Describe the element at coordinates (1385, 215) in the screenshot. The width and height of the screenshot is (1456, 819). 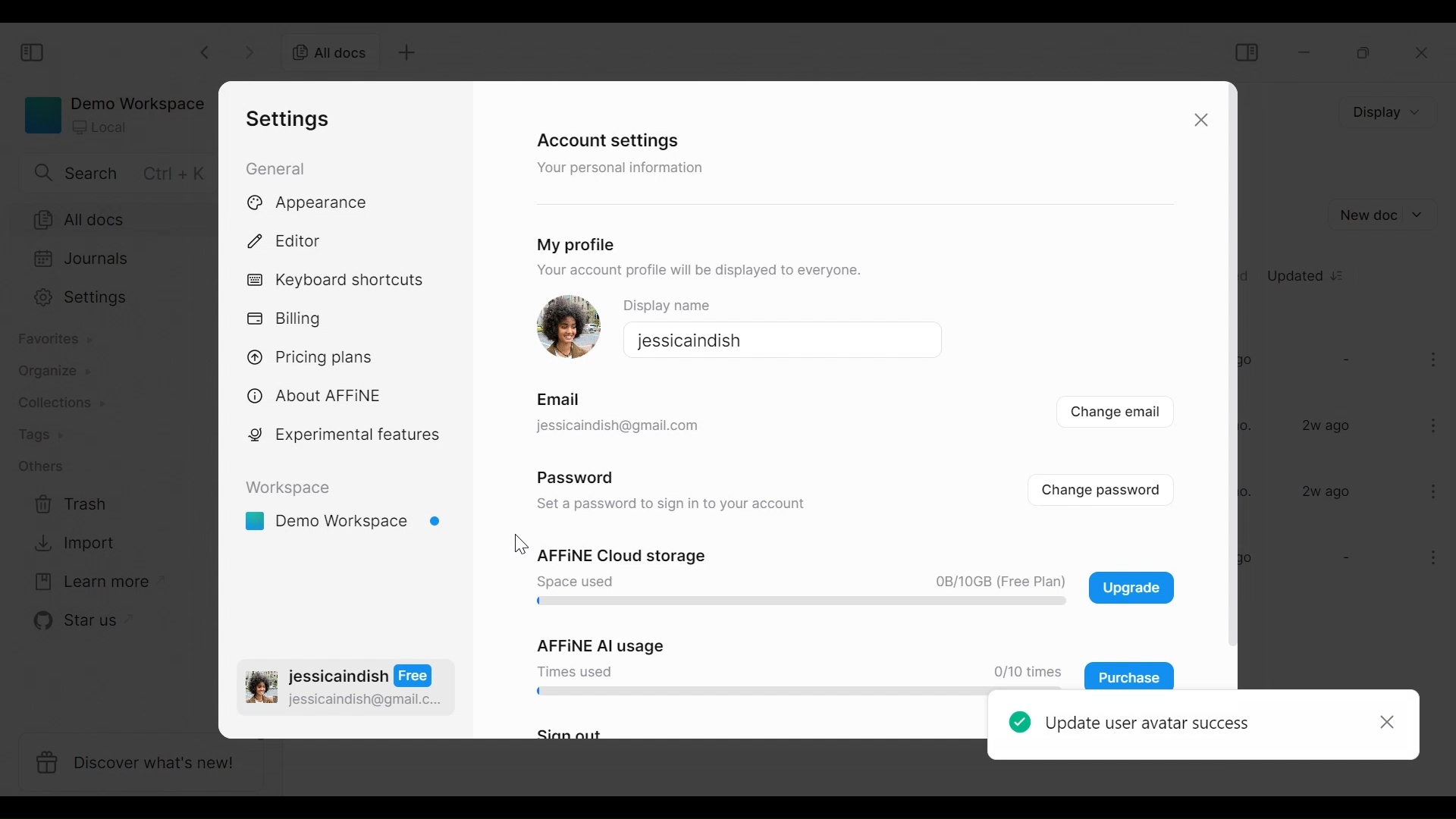
I see `Add New document` at that location.